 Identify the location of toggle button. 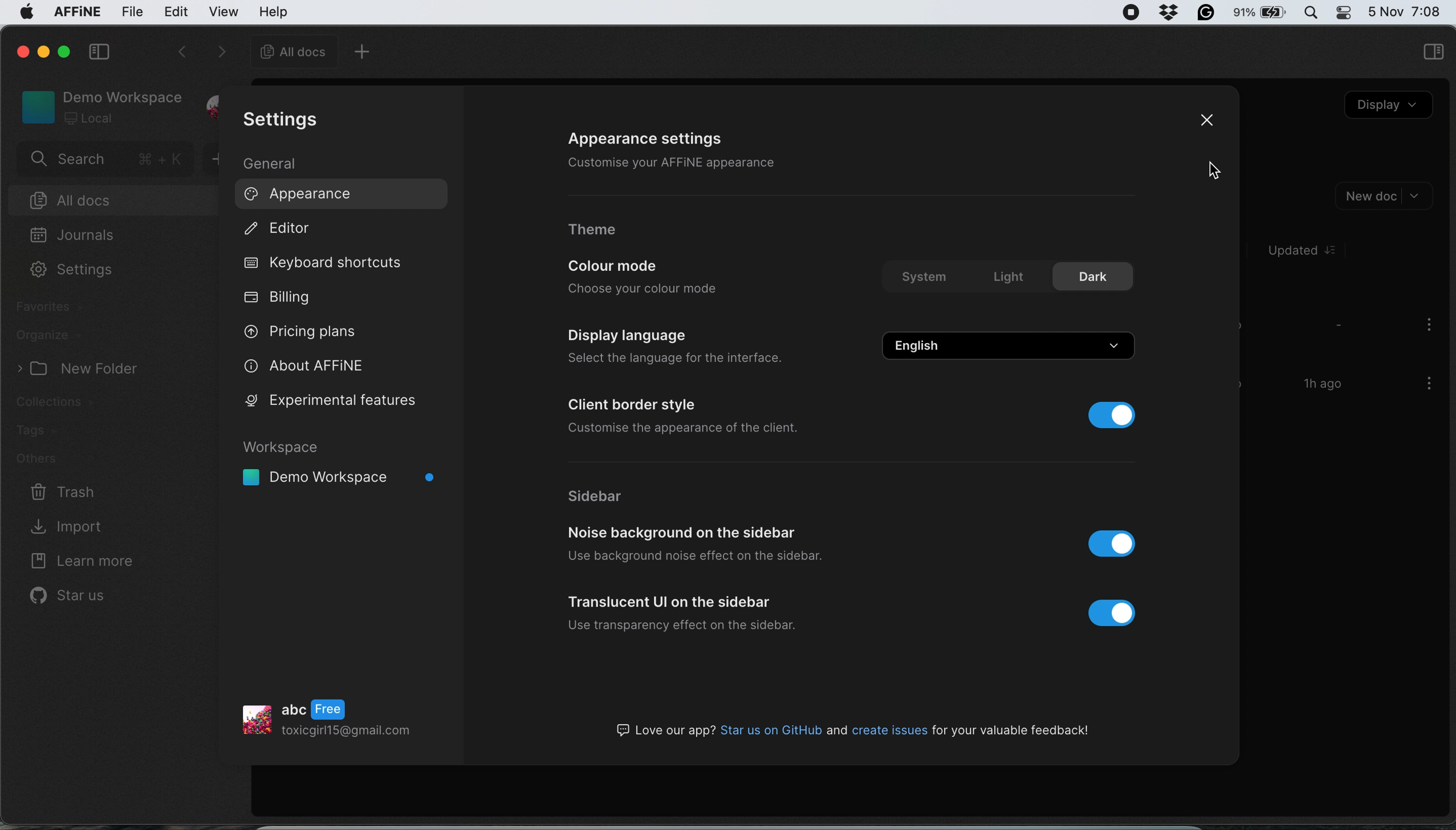
(1114, 616).